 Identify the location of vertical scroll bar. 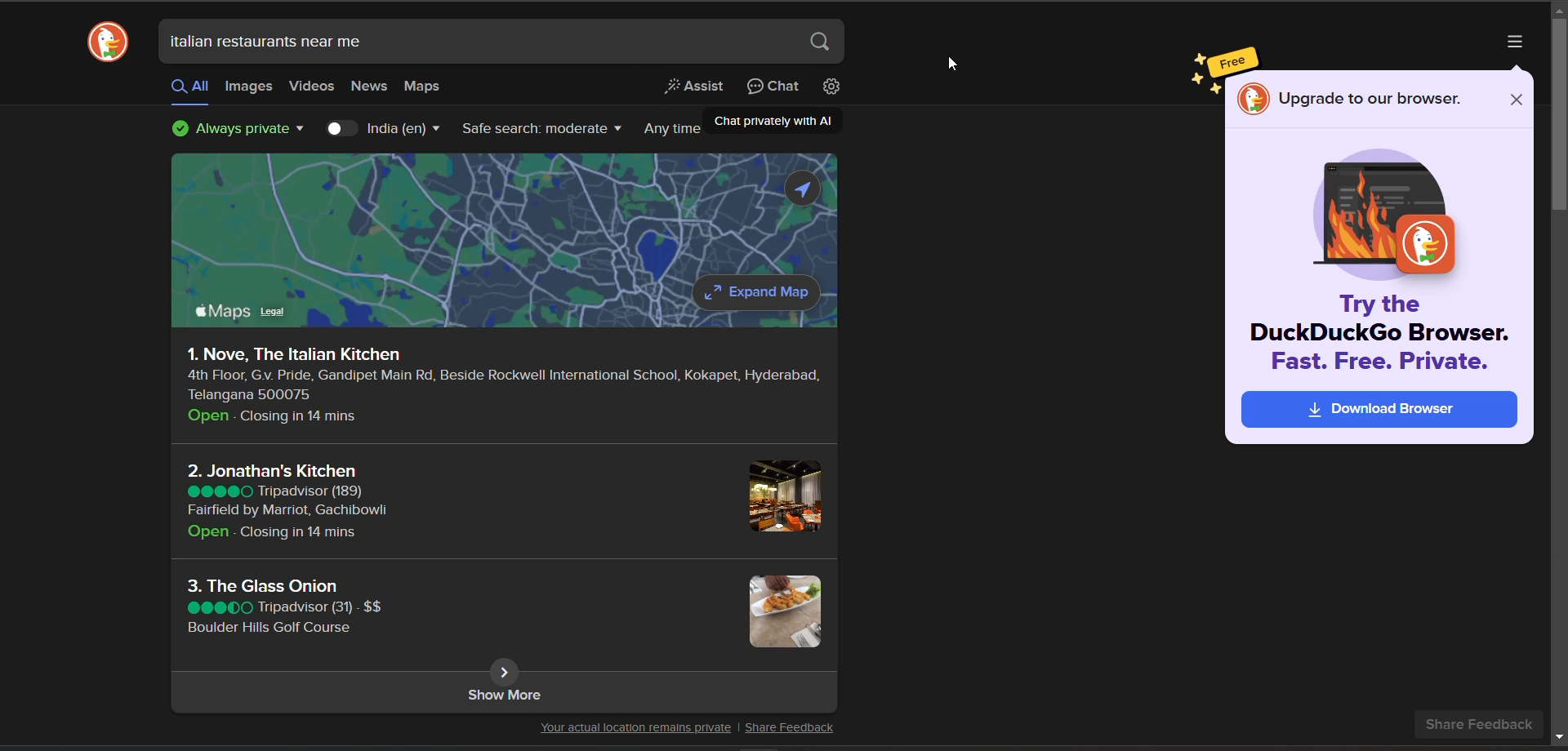
(1558, 118).